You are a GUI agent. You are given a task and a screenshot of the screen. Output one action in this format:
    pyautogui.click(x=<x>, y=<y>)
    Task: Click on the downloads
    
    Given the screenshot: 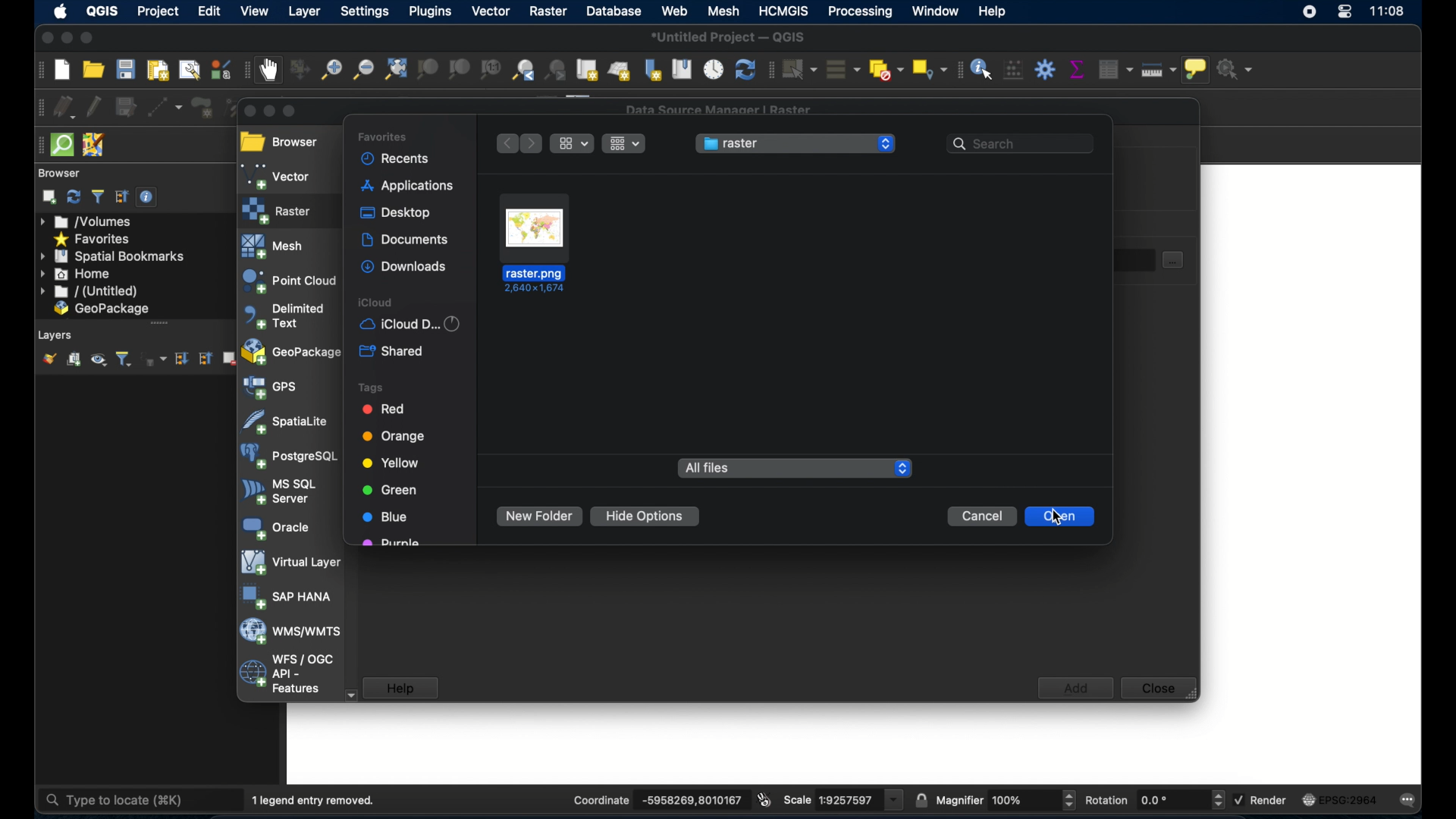 What is the action you would take?
    pyautogui.click(x=403, y=268)
    